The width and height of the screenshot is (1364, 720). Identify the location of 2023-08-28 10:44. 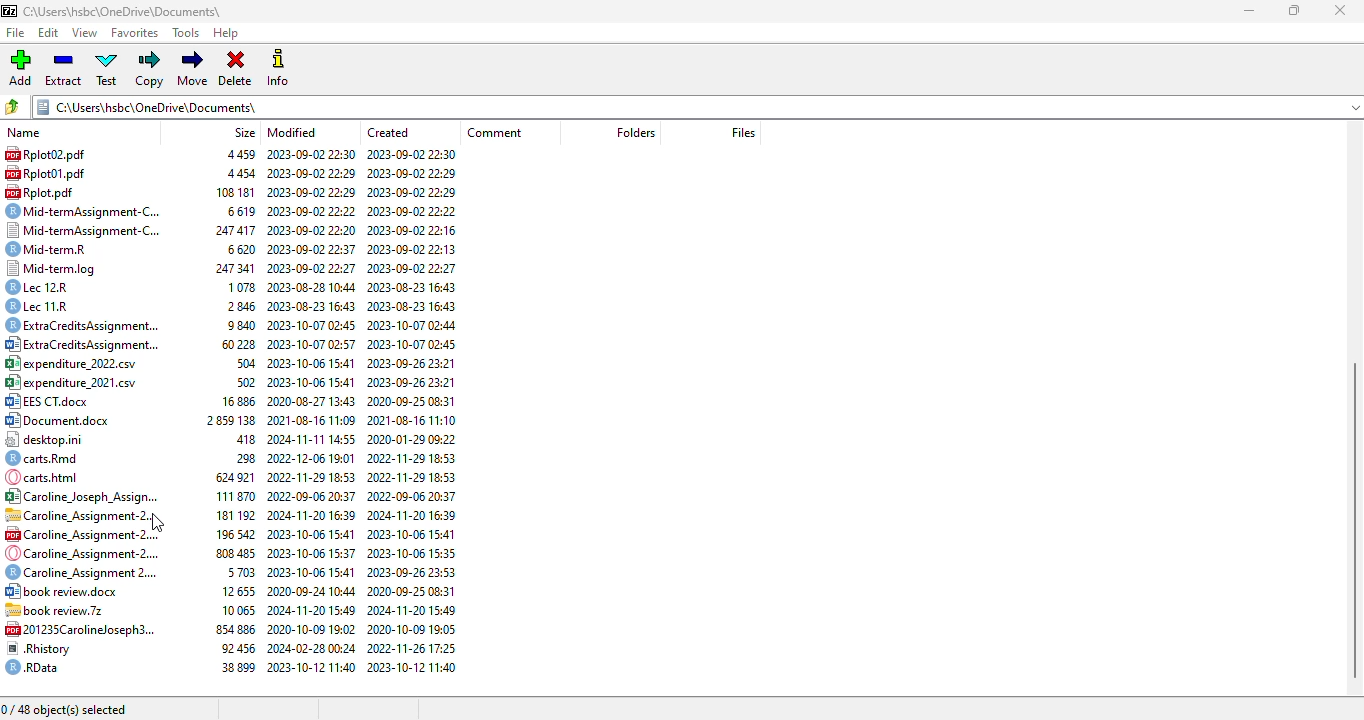
(313, 287).